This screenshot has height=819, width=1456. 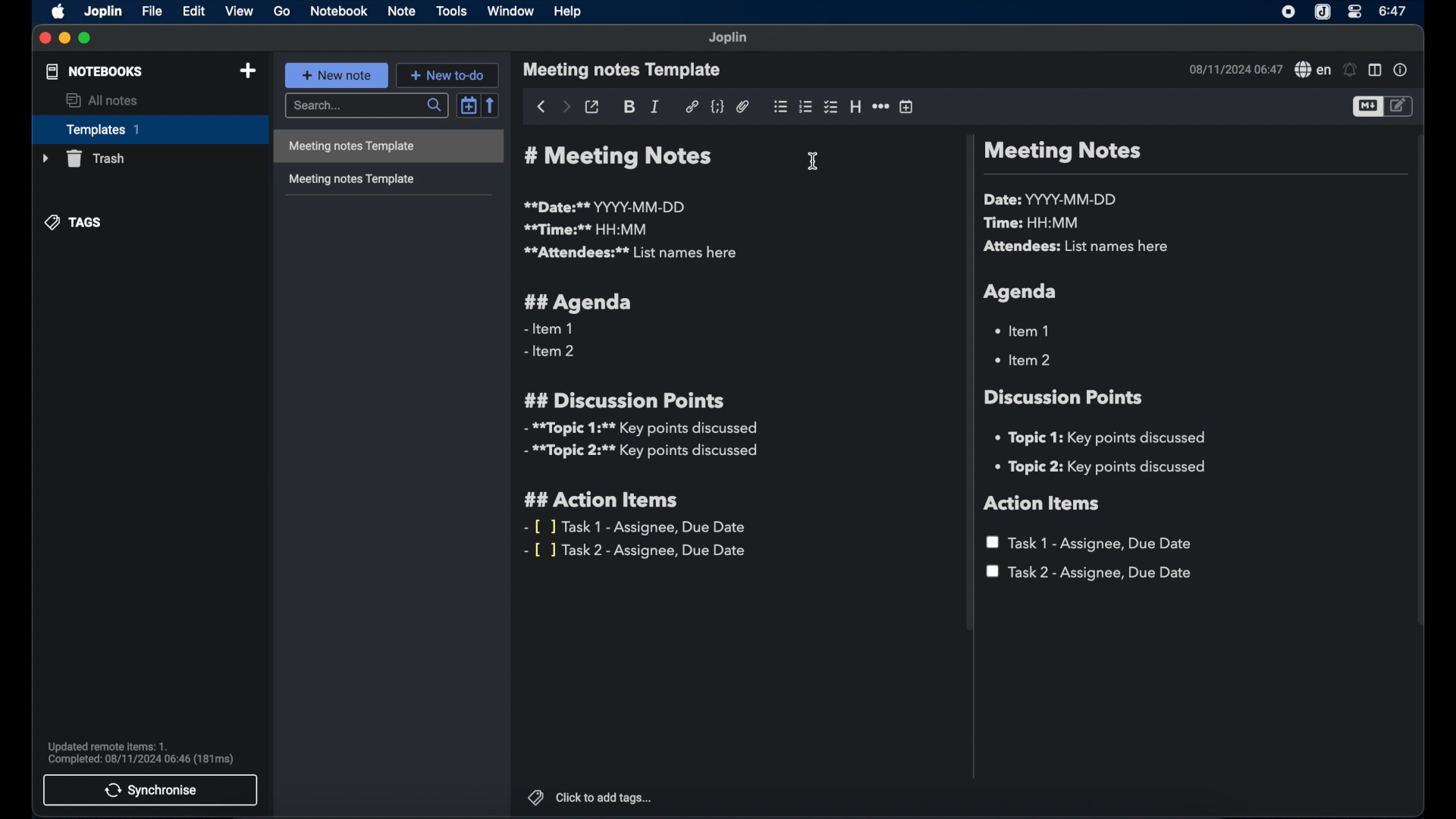 I want to click on time: HH:MM, so click(x=1035, y=224).